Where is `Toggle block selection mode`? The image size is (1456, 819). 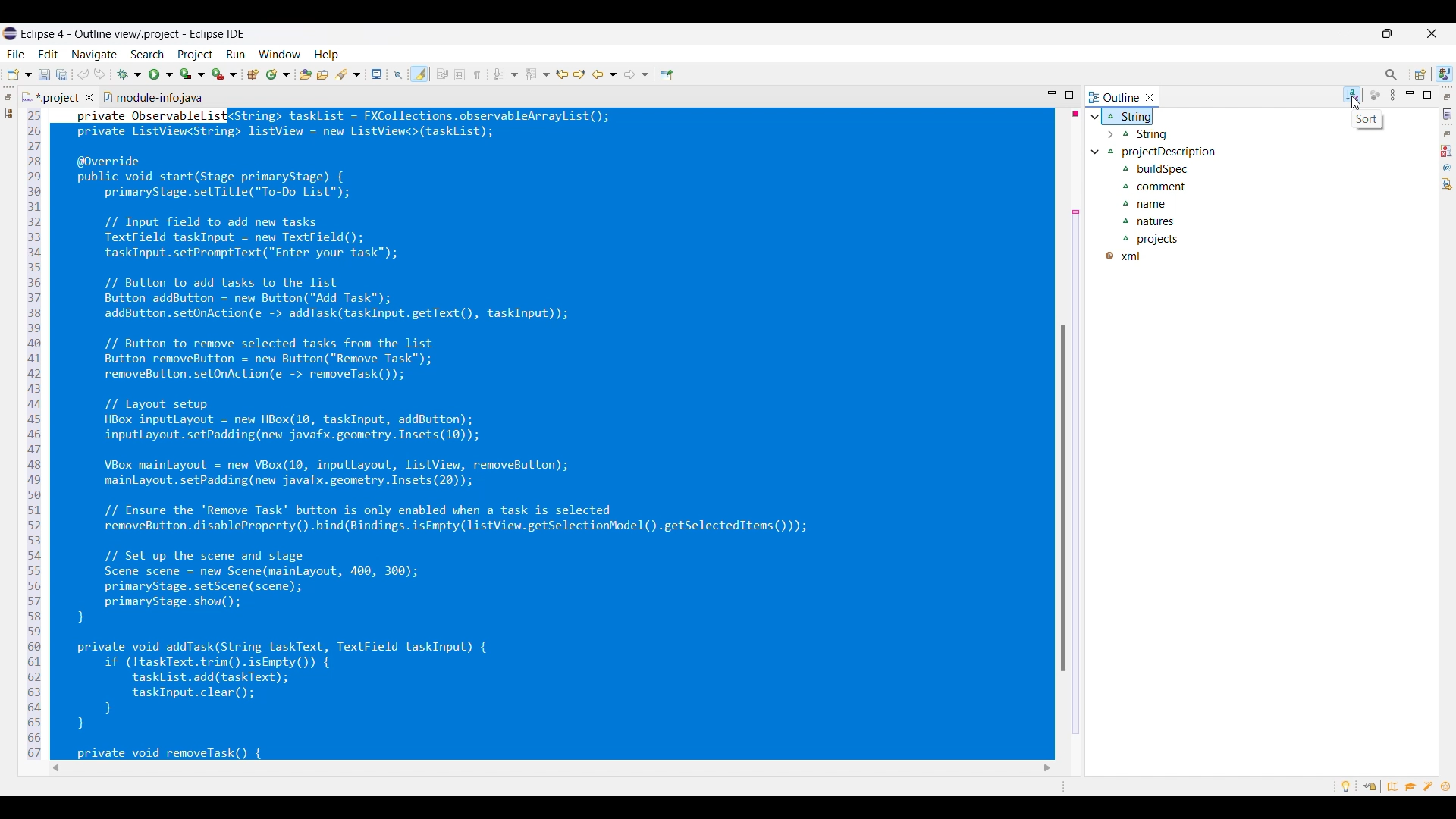 Toggle block selection mode is located at coordinates (460, 74).